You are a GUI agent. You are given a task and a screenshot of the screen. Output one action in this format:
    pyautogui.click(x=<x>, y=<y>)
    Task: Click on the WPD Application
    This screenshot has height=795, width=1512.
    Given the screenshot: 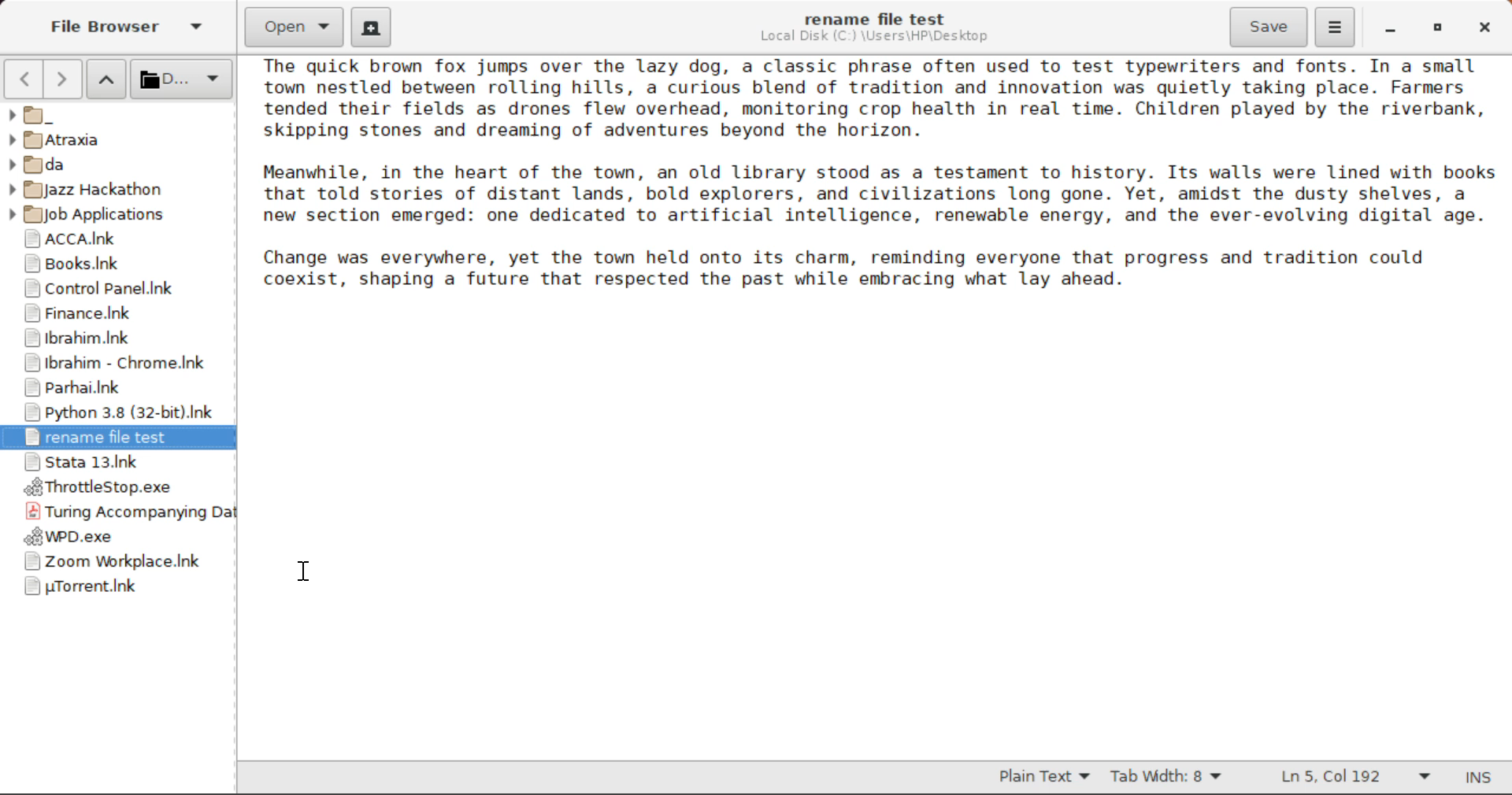 What is the action you would take?
    pyautogui.click(x=118, y=538)
    